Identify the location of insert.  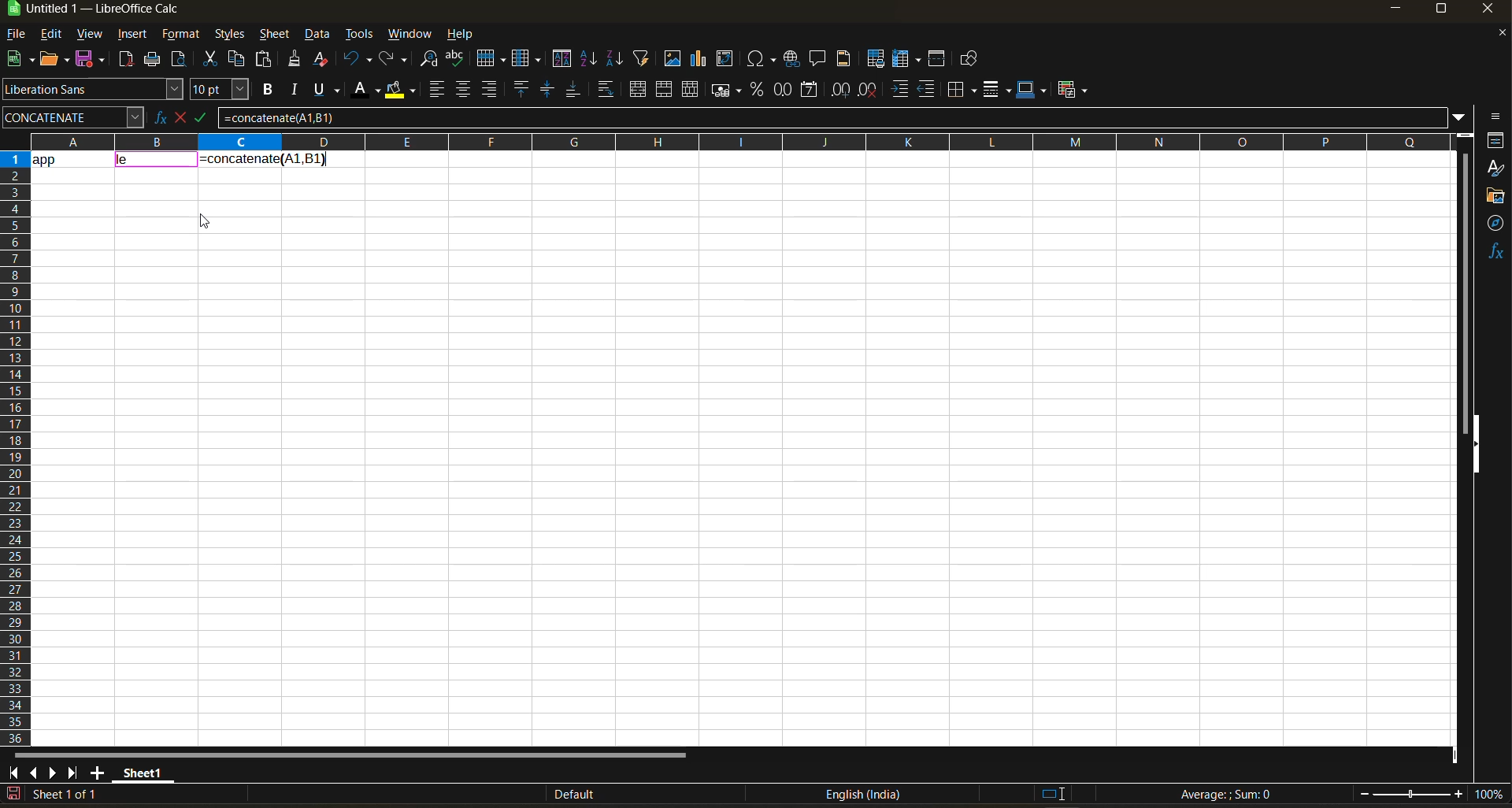
(132, 35).